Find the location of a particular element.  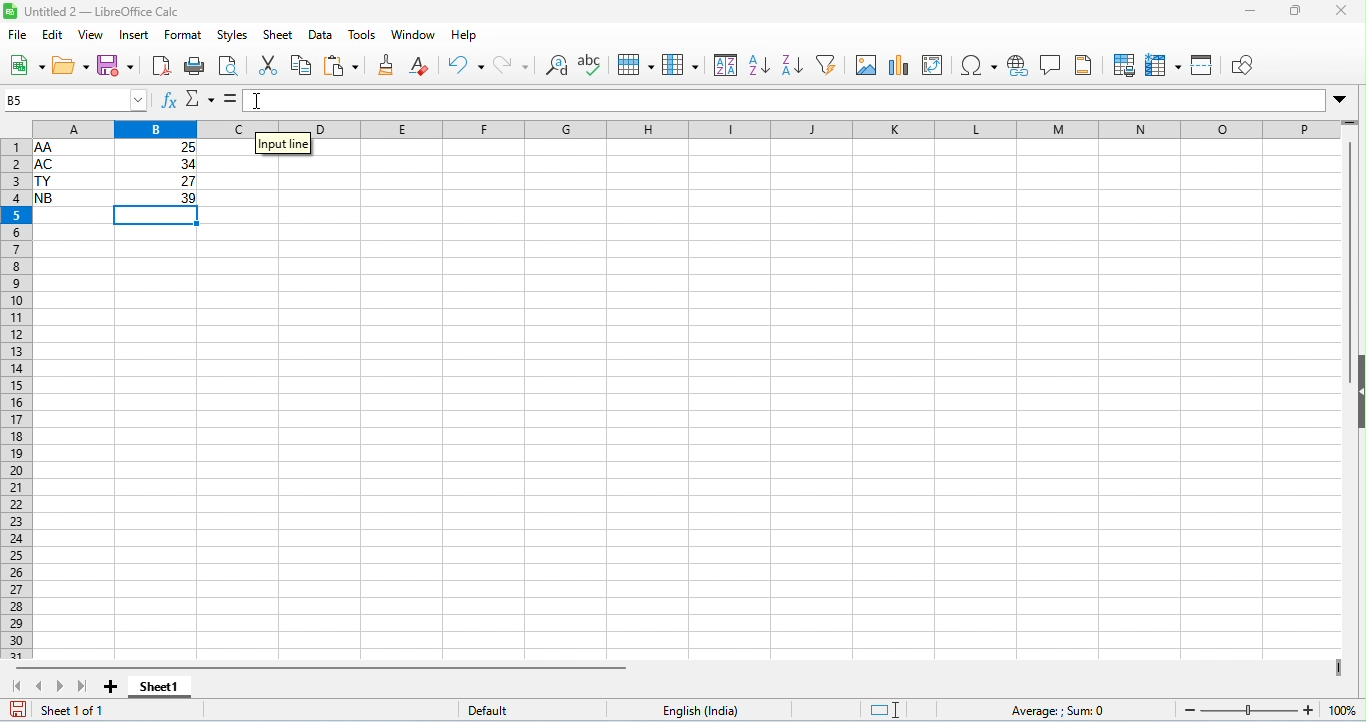

English india is located at coordinates (700, 711).